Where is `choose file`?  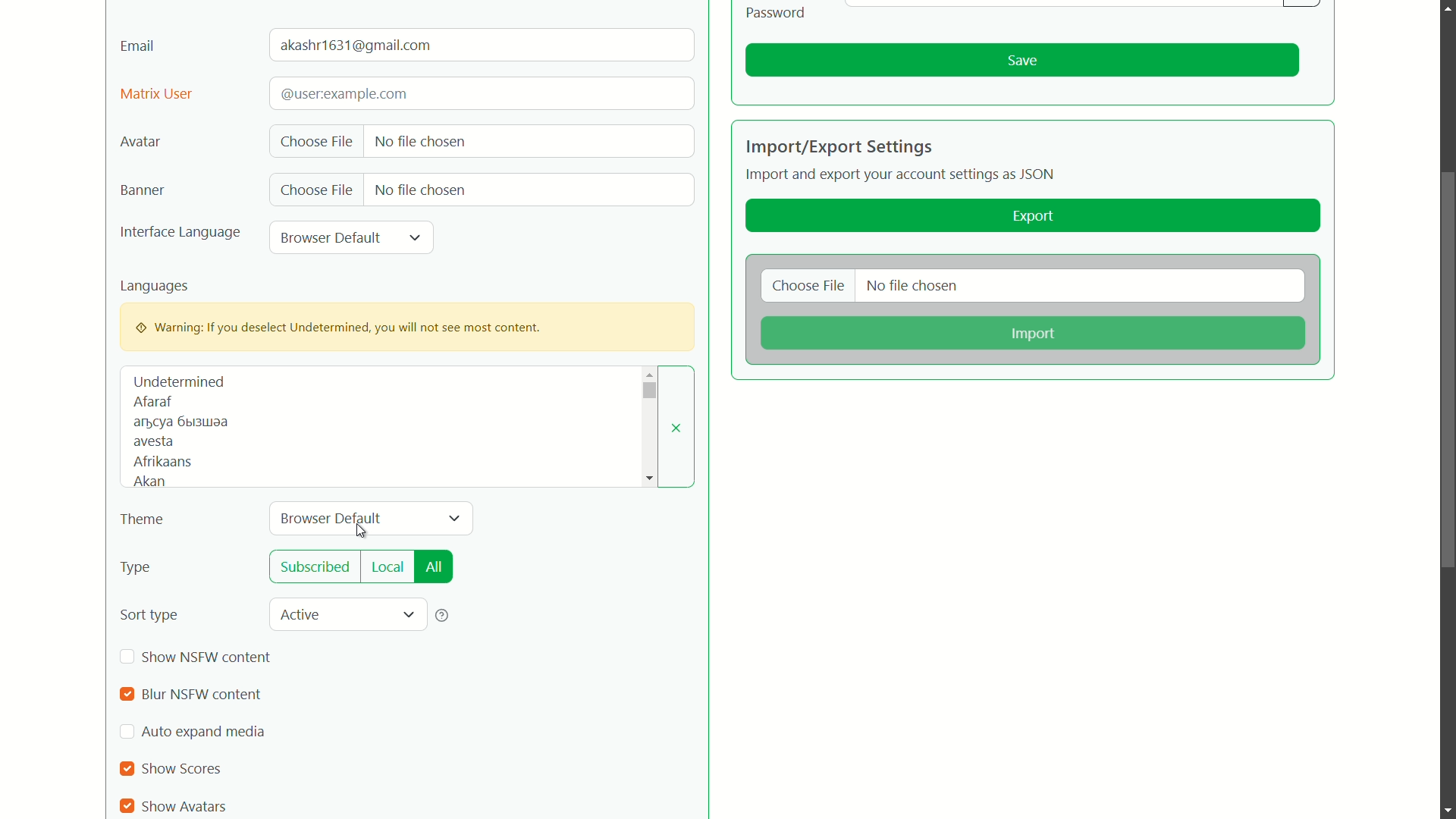
choose file is located at coordinates (318, 190).